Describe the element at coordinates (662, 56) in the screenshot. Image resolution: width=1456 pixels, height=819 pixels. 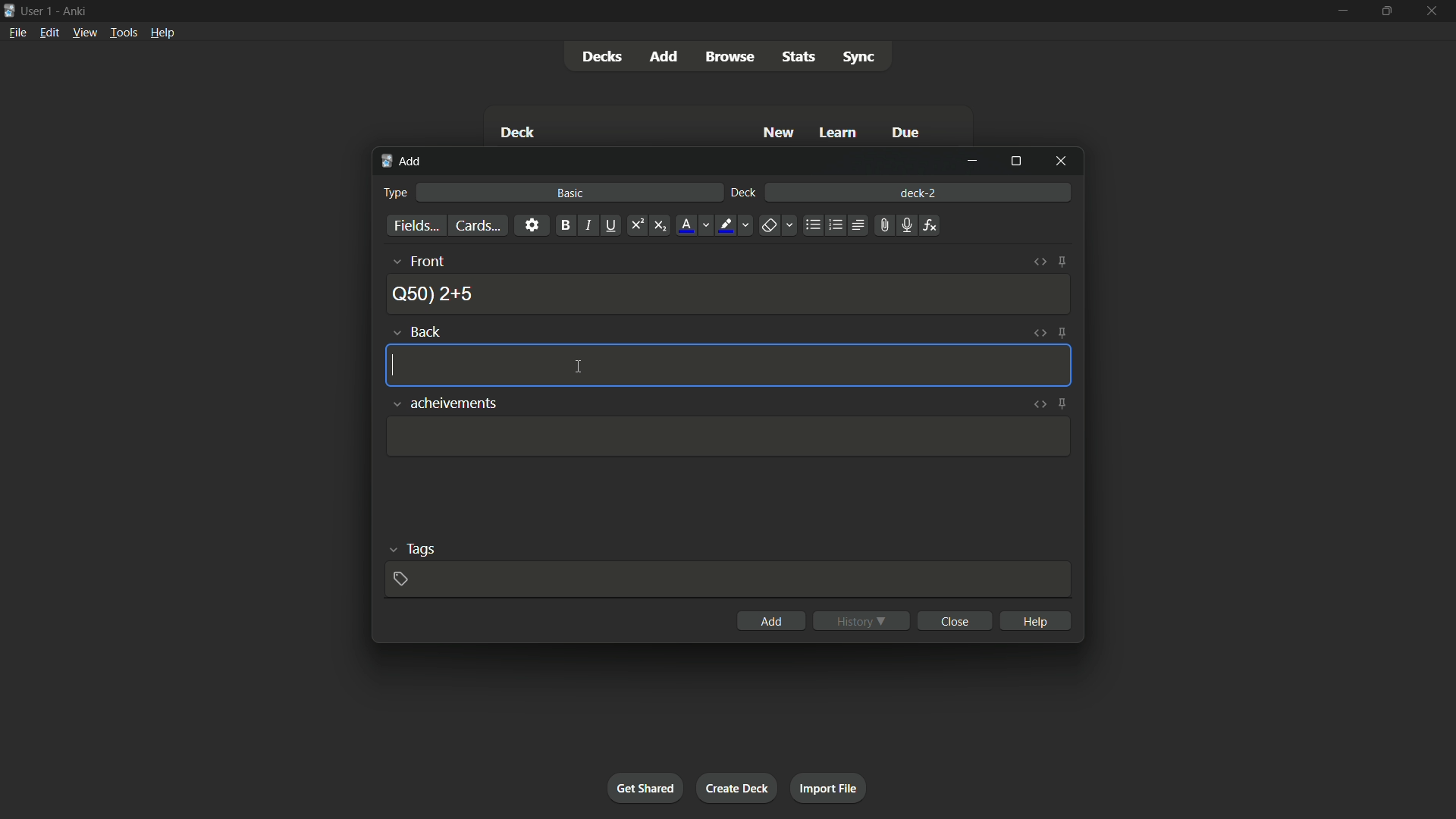
I see `add` at that location.